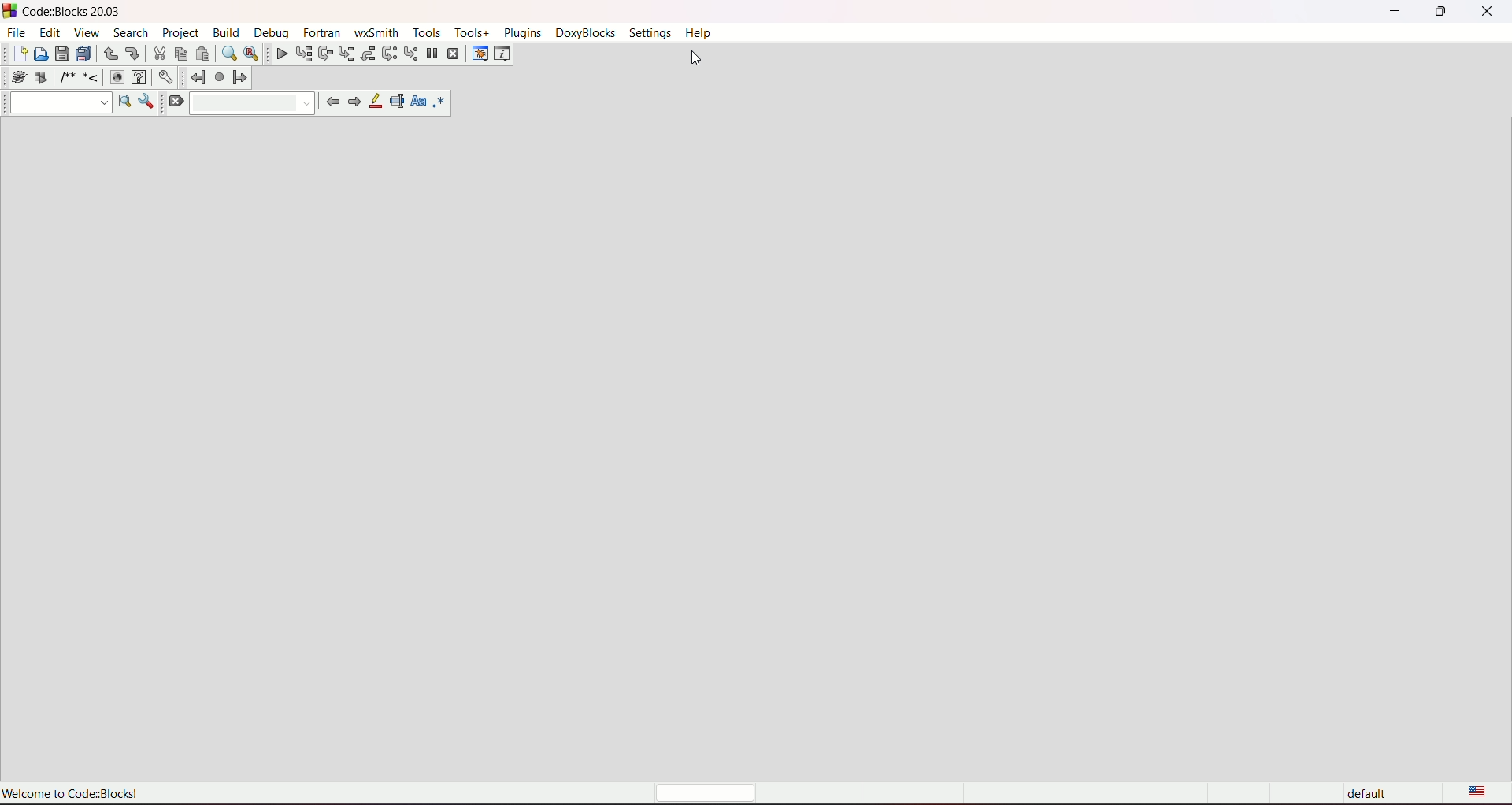 The height and width of the screenshot is (805, 1512). Describe the element at coordinates (160, 54) in the screenshot. I see `cut` at that location.